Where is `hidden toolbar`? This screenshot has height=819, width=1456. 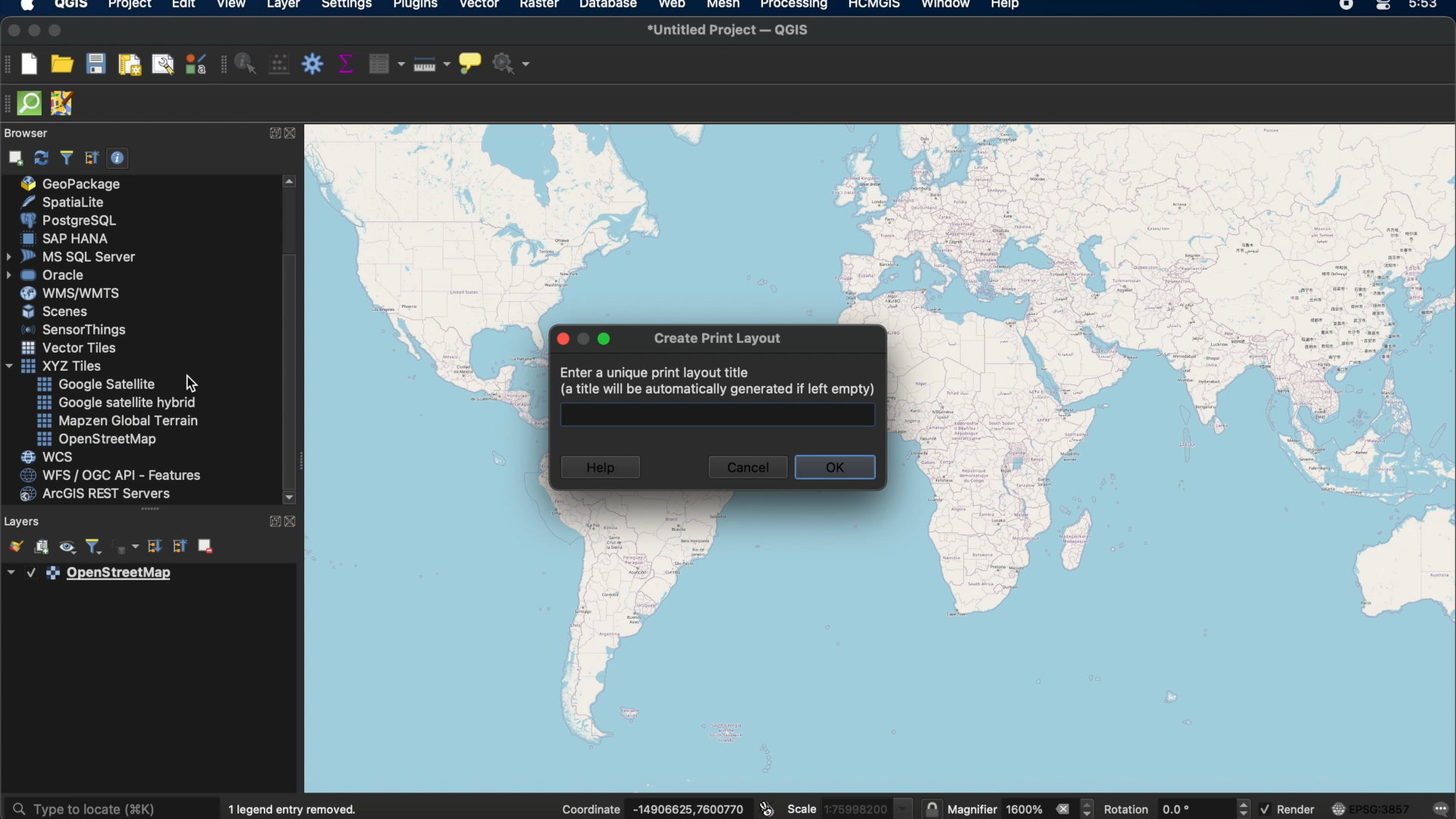 hidden toolbar is located at coordinates (9, 105).